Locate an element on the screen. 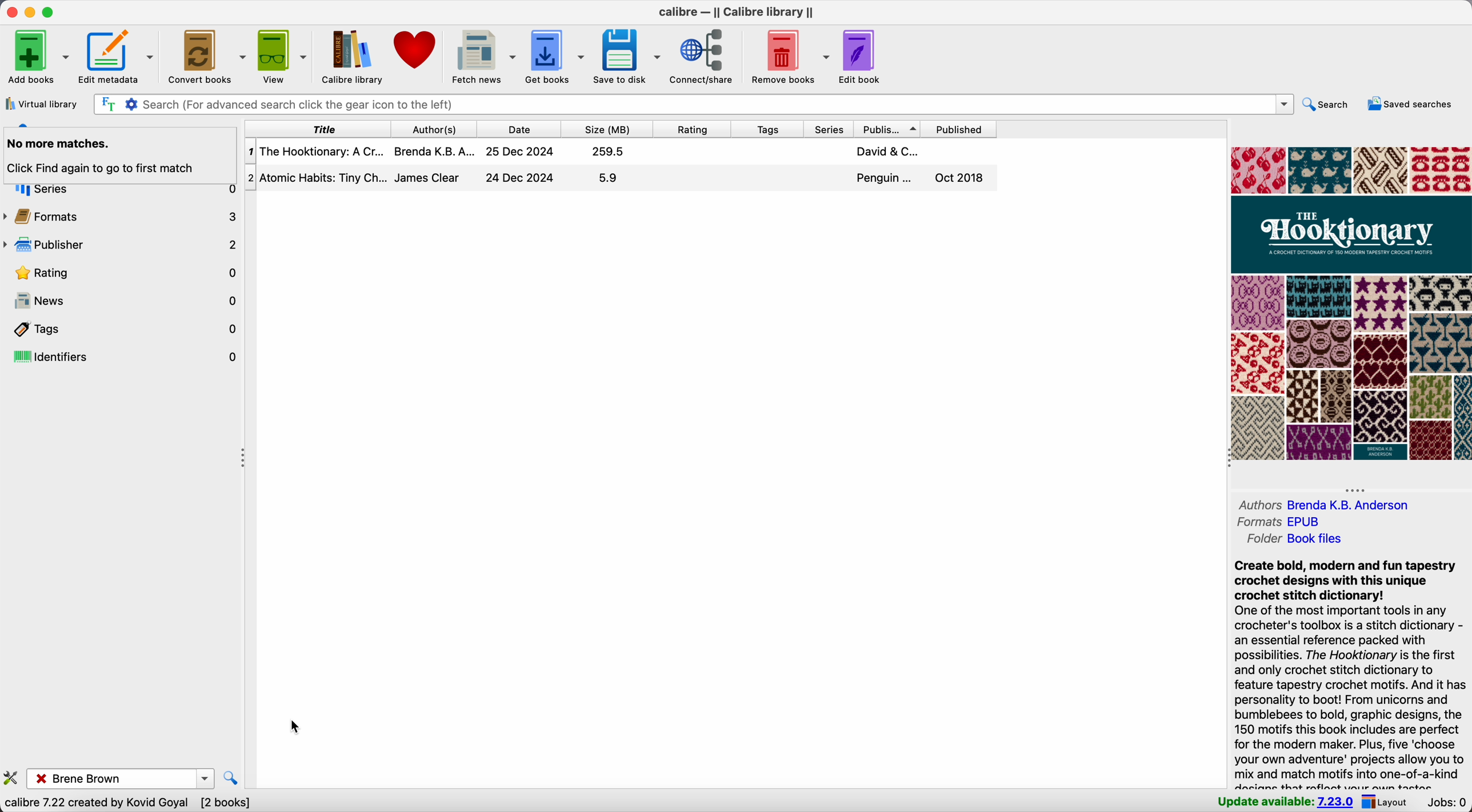  first book is located at coordinates (621, 151).